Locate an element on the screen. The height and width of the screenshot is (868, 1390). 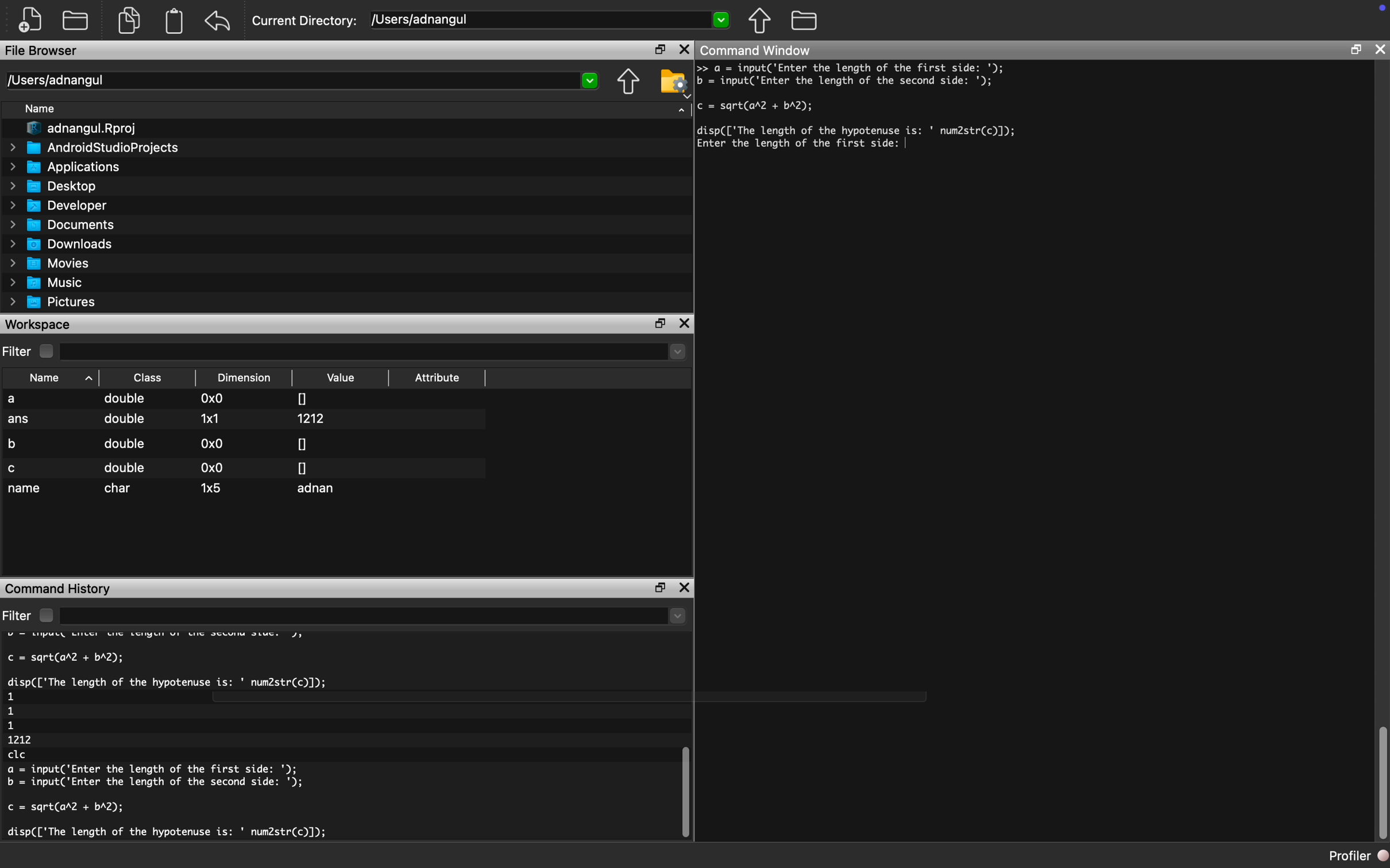
0 is located at coordinates (303, 397).